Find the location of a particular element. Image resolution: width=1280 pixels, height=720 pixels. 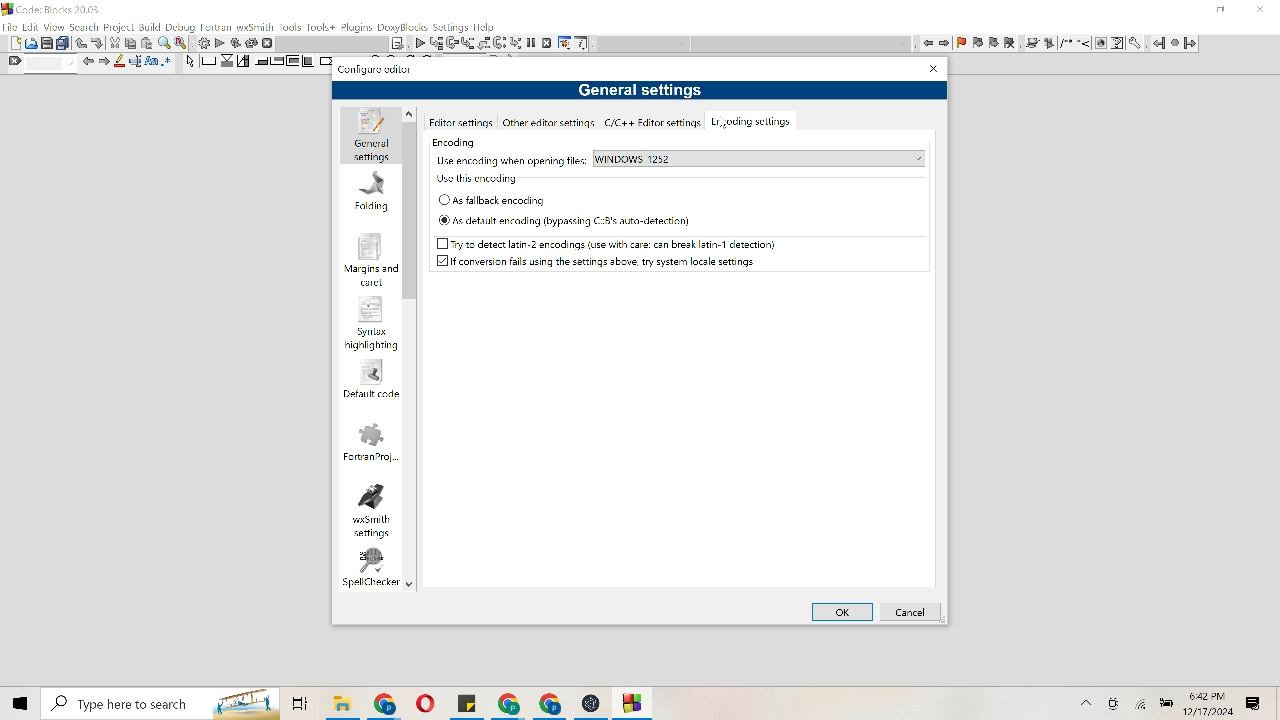

Project is located at coordinates (118, 27).